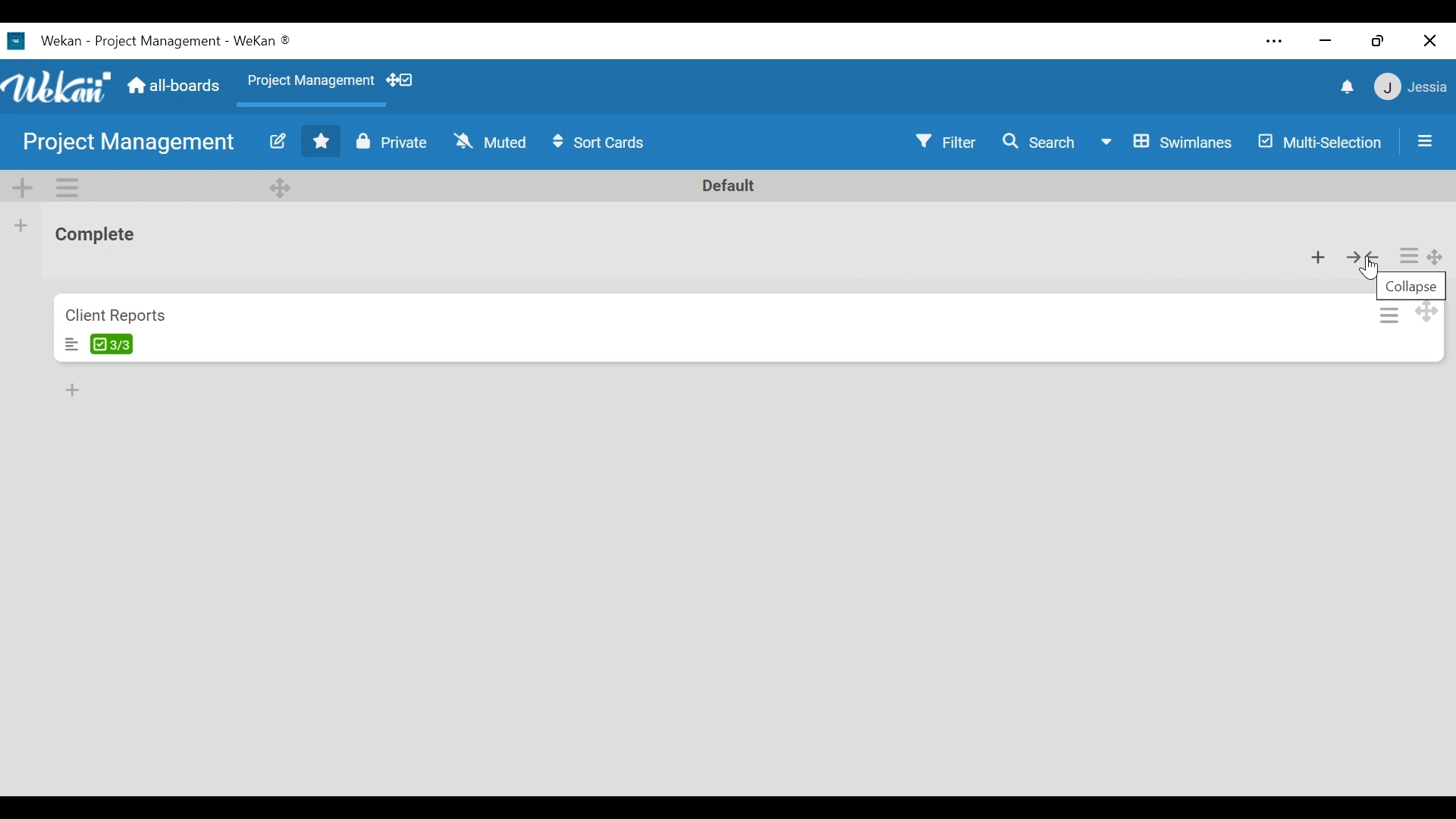  Describe the element at coordinates (22, 187) in the screenshot. I see `Add Swimlane` at that location.